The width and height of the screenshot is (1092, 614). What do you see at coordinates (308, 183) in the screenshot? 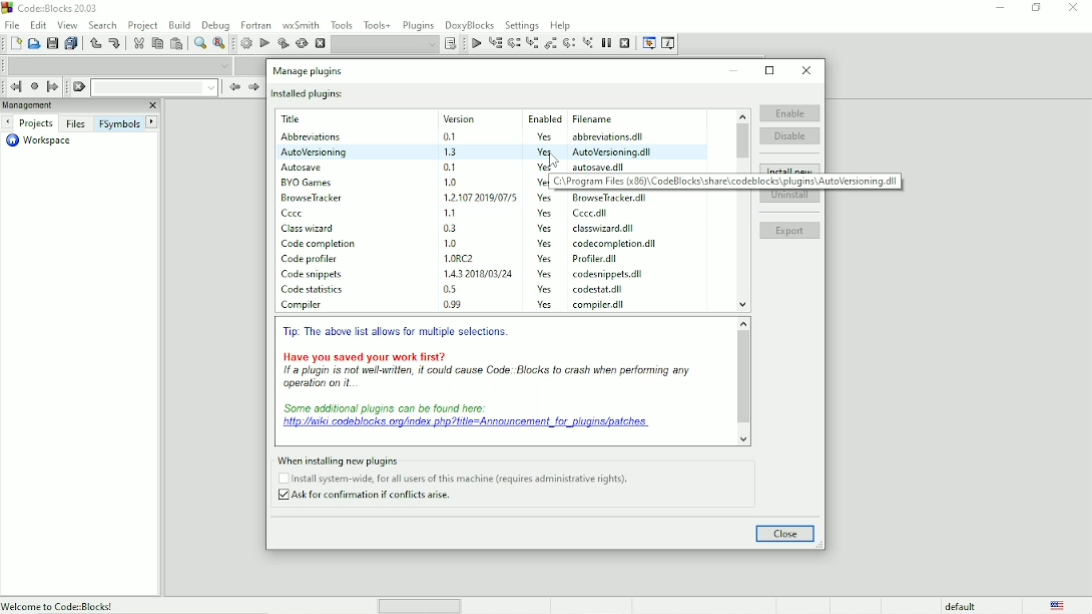
I see `BYO Games` at bounding box center [308, 183].